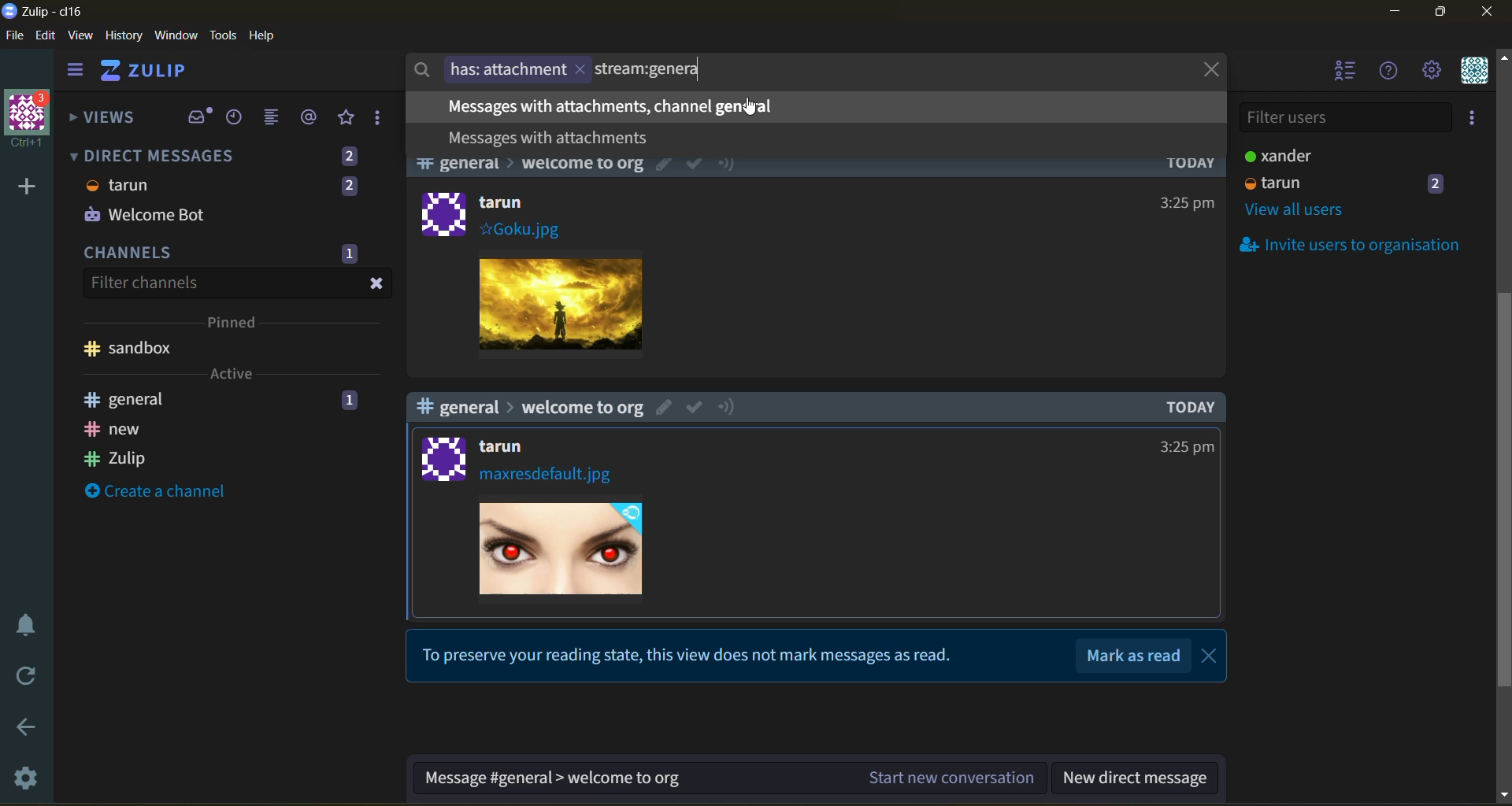 This screenshot has width=1512, height=806. What do you see at coordinates (528, 405) in the screenshot?
I see `# general > welcome to org` at bounding box center [528, 405].